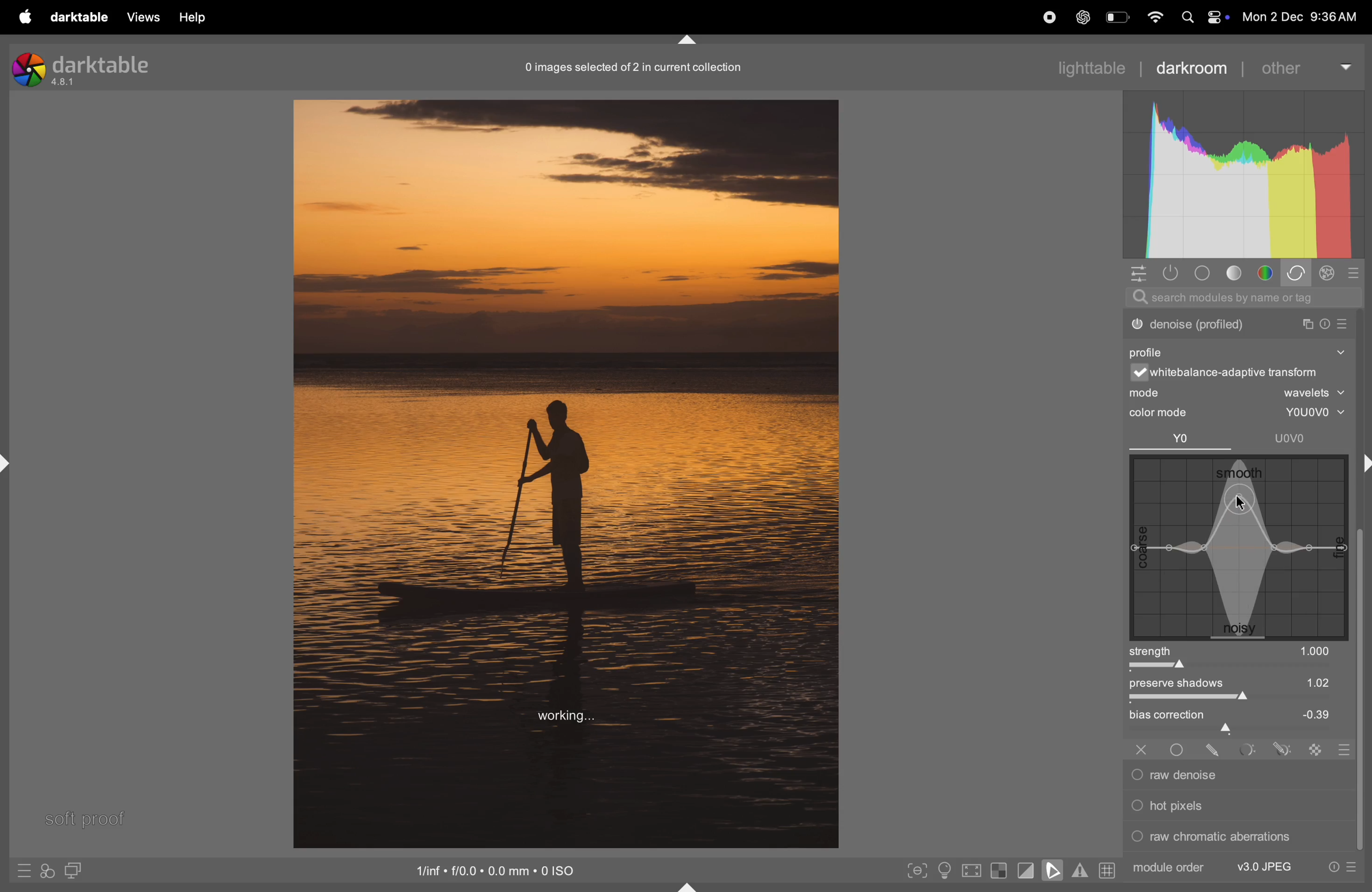 Image resolution: width=1372 pixels, height=892 pixels. What do you see at coordinates (499, 870) in the screenshot?
I see `iso` at bounding box center [499, 870].